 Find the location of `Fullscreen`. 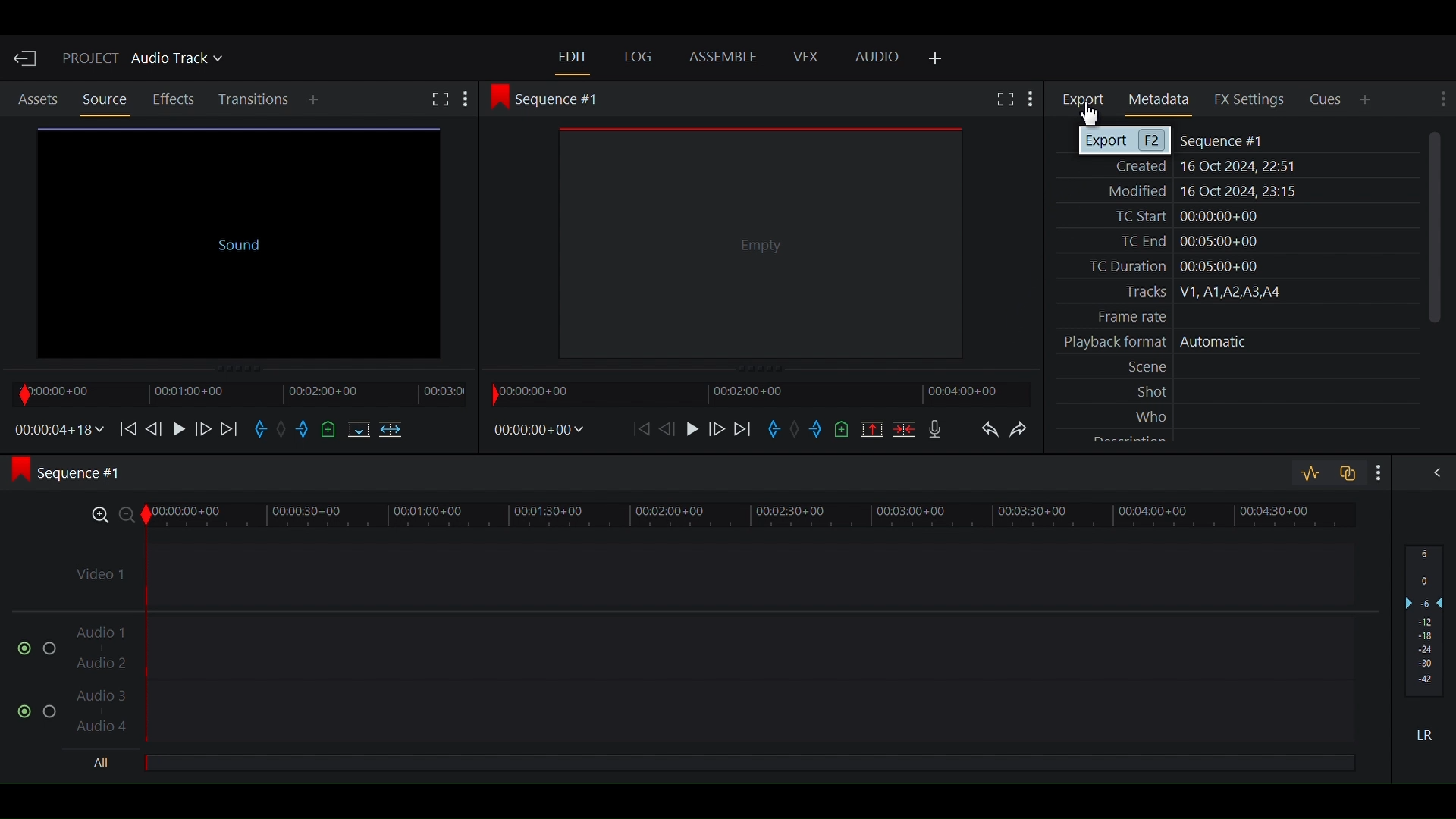

Fullscreen is located at coordinates (440, 101).